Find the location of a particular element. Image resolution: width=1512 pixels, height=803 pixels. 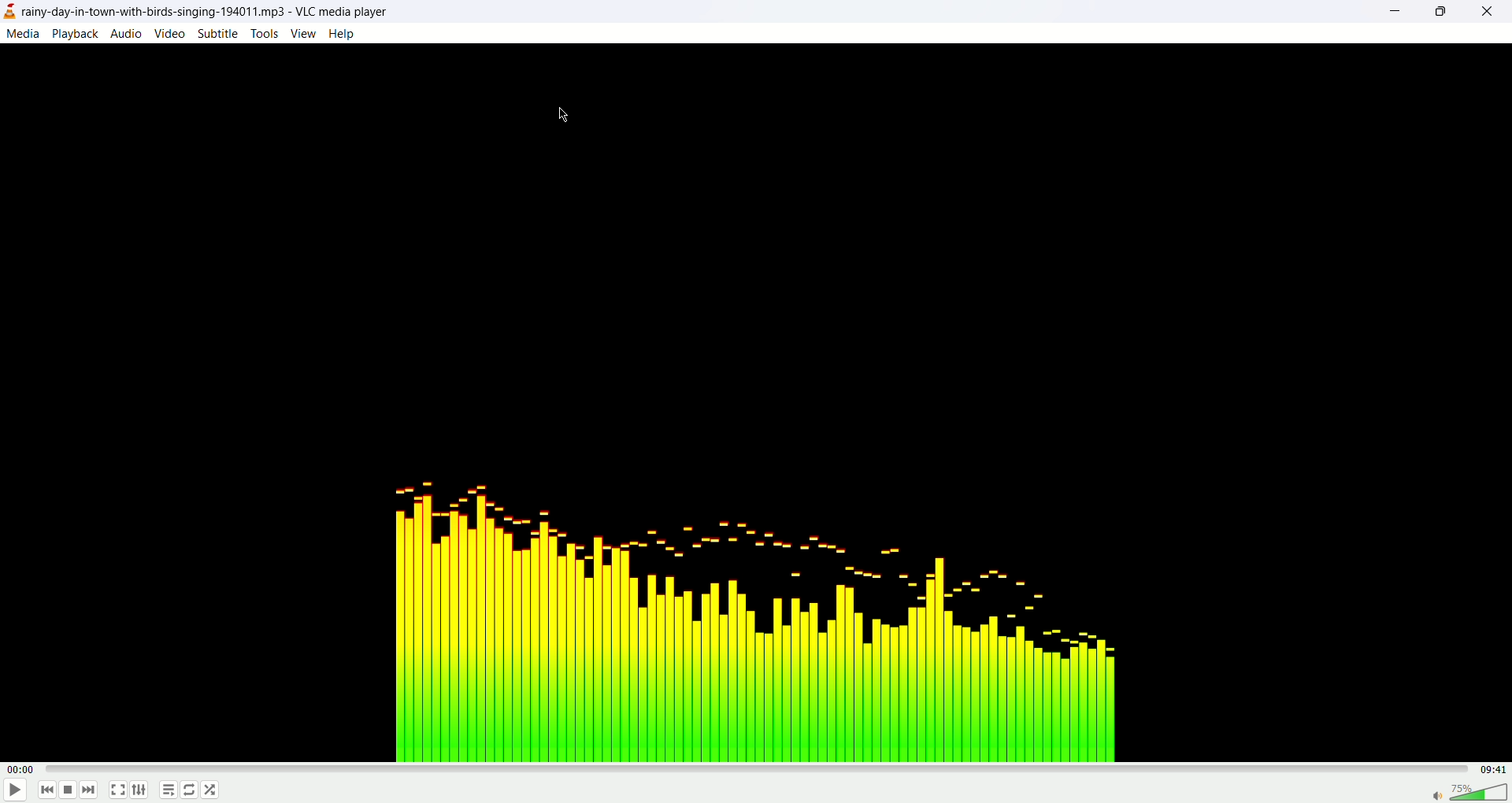

total time is located at coordinates (1496, 769).